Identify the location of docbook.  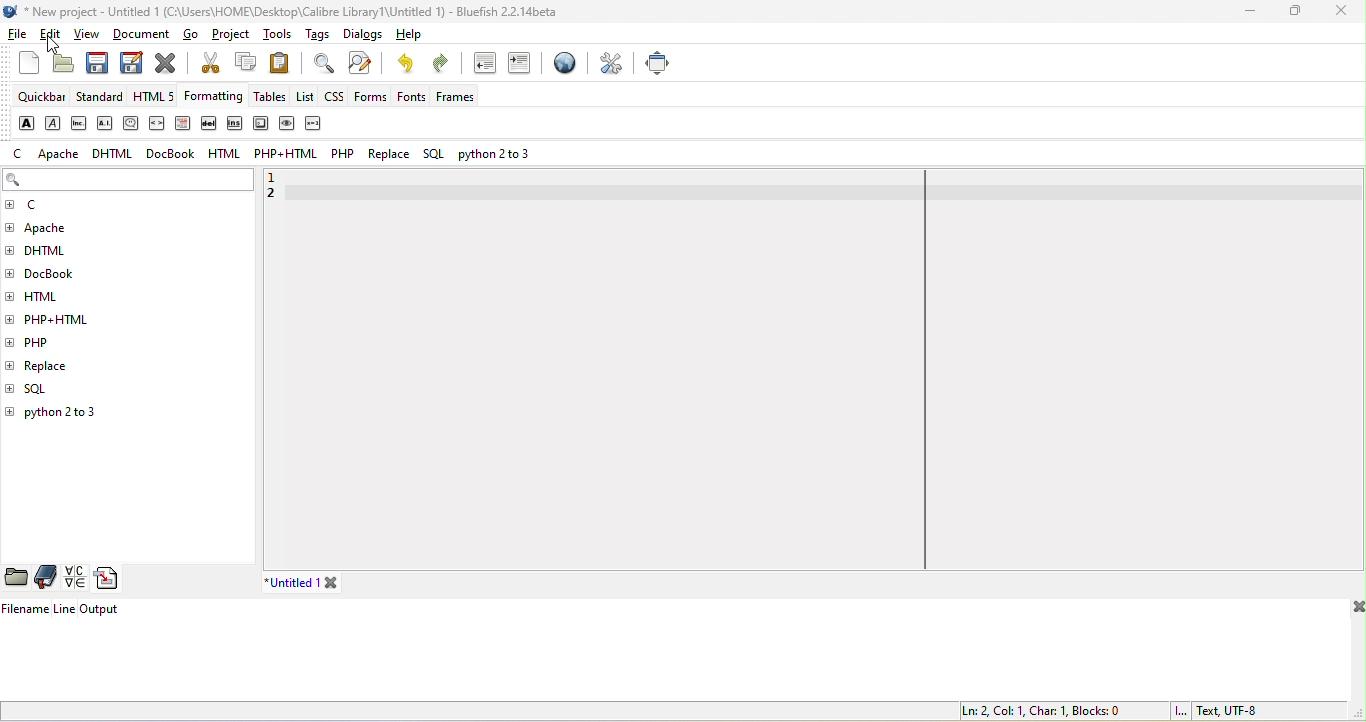
(60, 276).